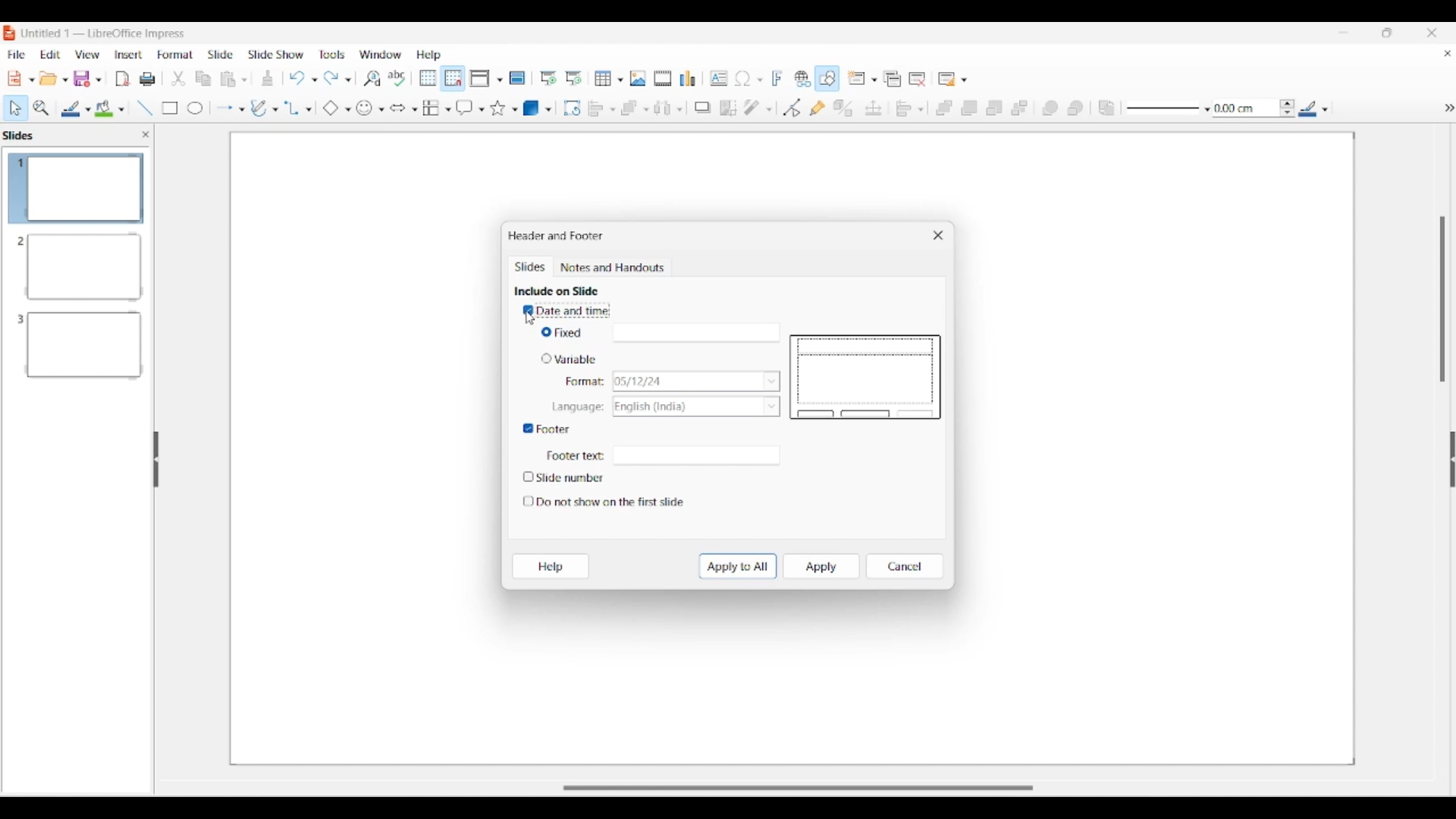 The width and height of the screenshot is (1456, 819). I want to click on Window menu, so click(380, 55).